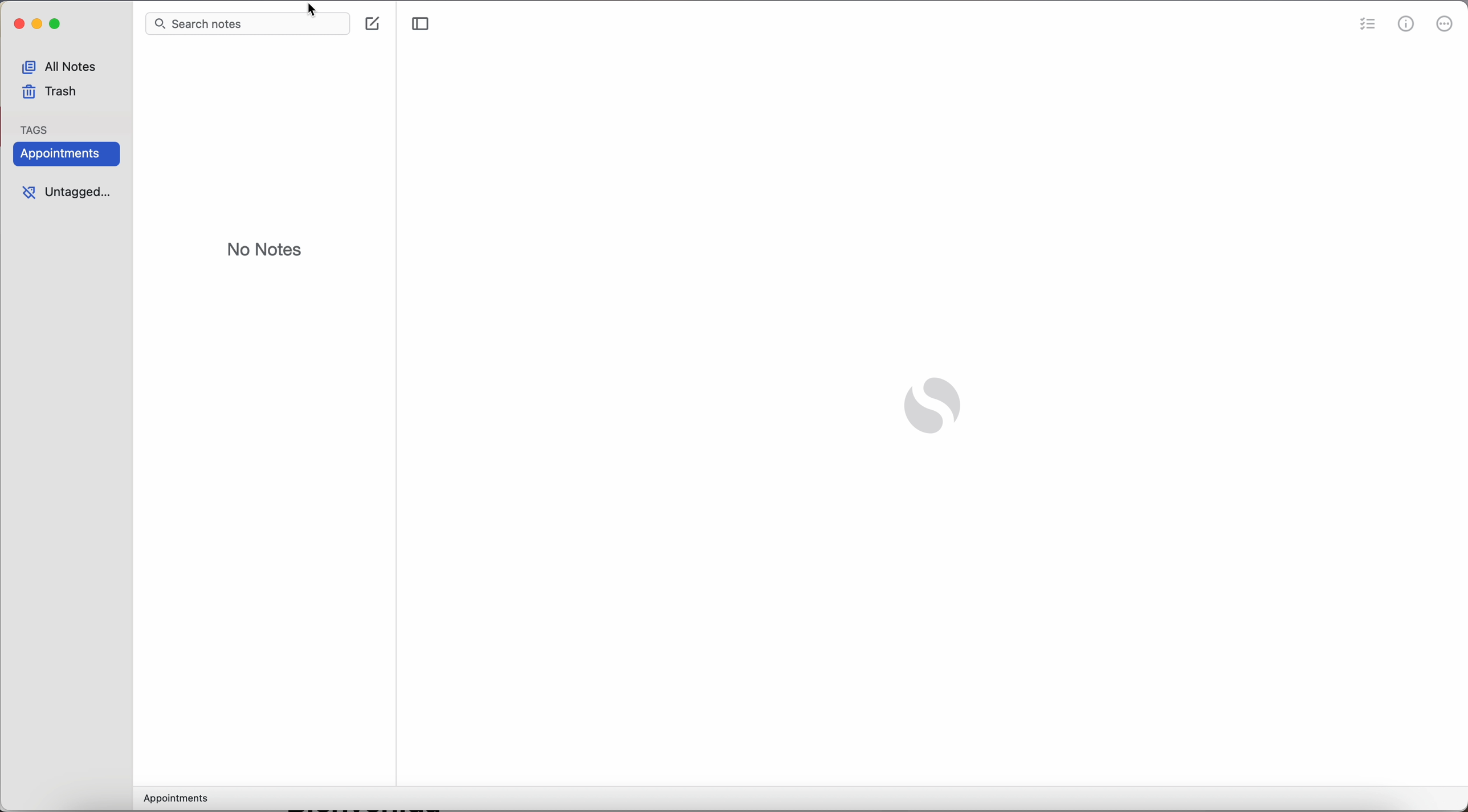 The image size is (1468, 812). What do you see at coordinates (222, 26) in the screenshot?
I see `search bar` at bounding box center [222, 26].